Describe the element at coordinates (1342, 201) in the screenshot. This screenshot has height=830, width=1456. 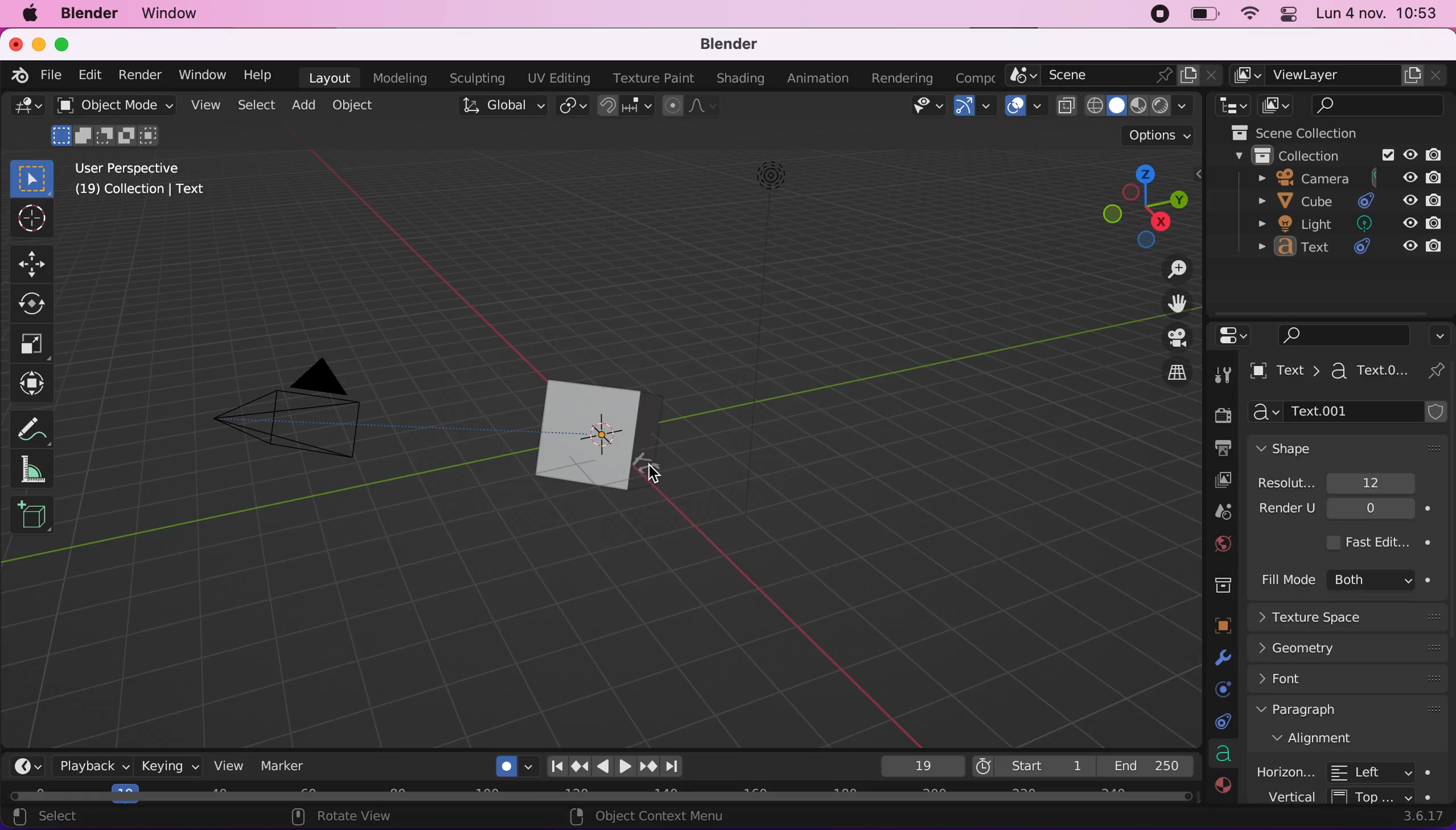
I see `cube` at that location.